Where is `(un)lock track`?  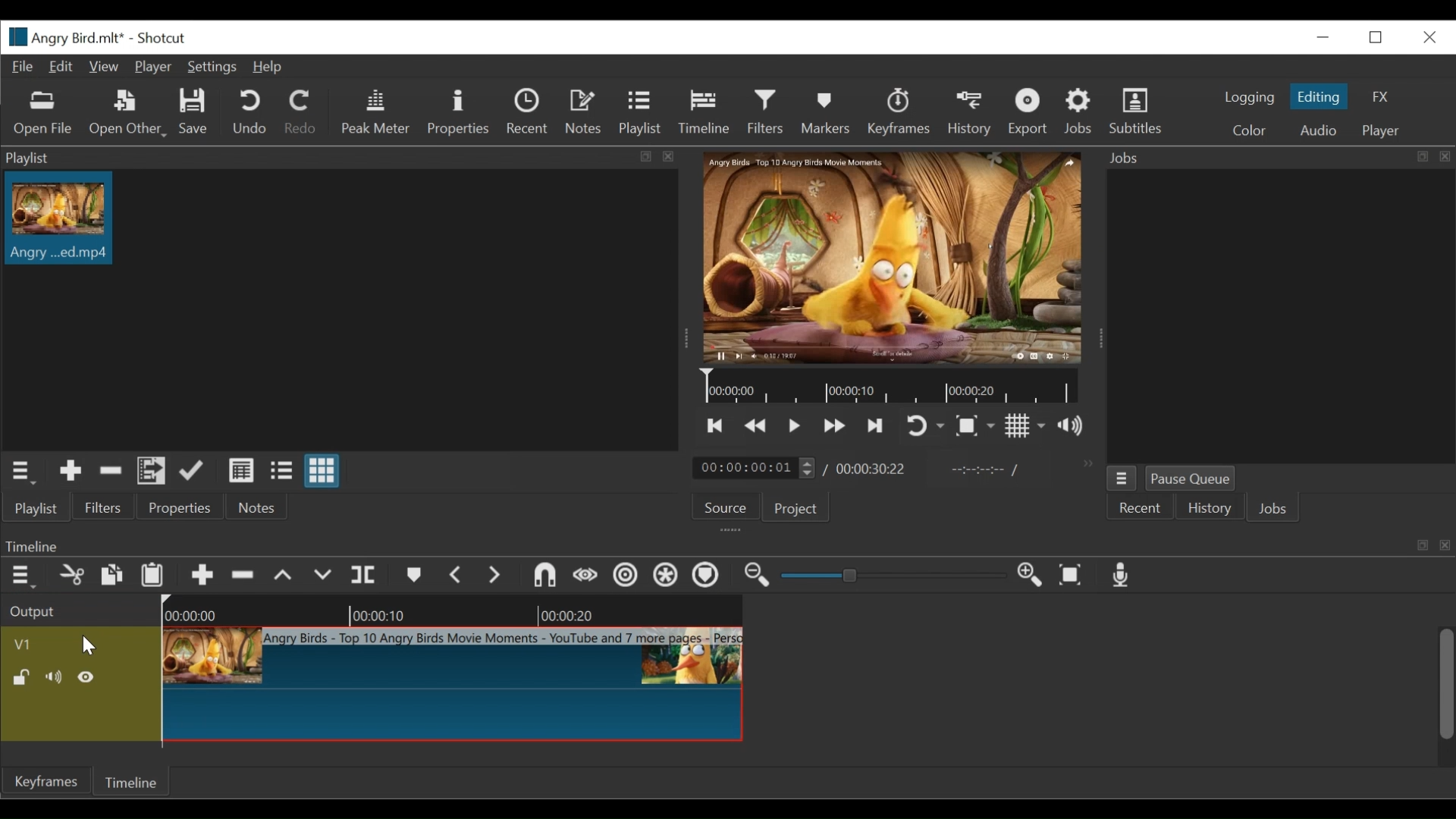 (un)lock track is located at coordinates (20, 678).